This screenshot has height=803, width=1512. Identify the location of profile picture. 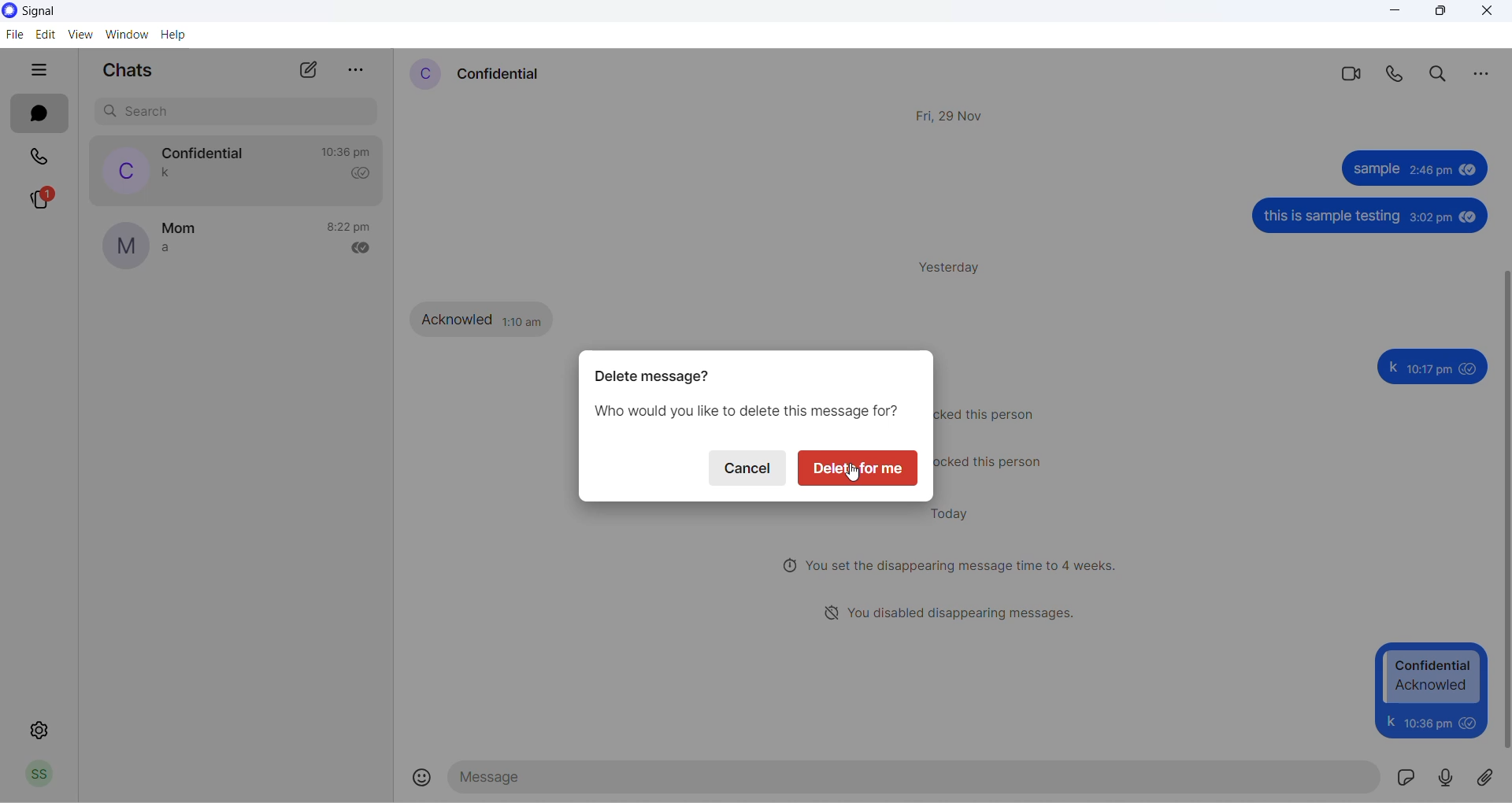
(419, 75).